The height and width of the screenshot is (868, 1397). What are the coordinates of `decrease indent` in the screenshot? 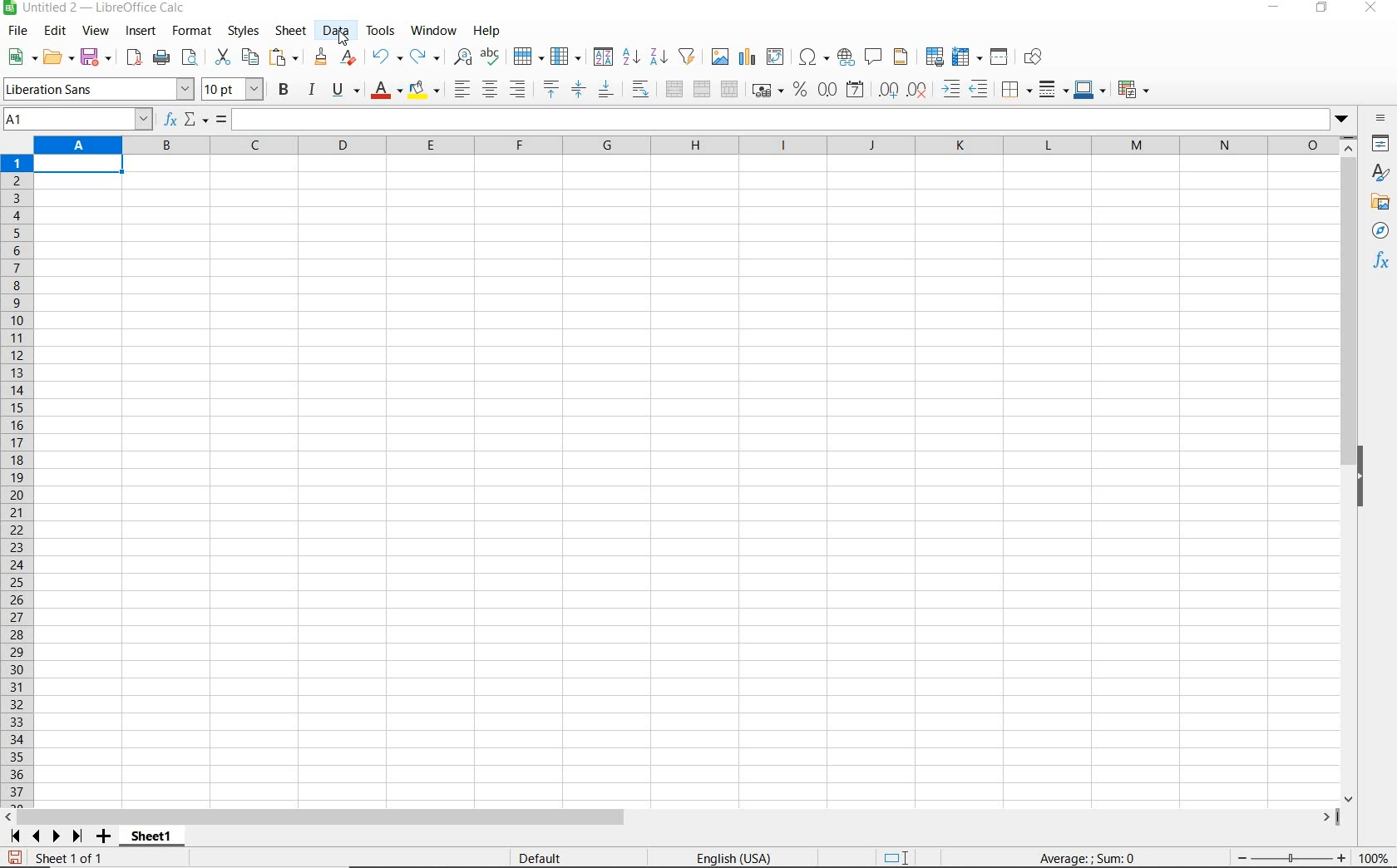 It's located at (983, 89).